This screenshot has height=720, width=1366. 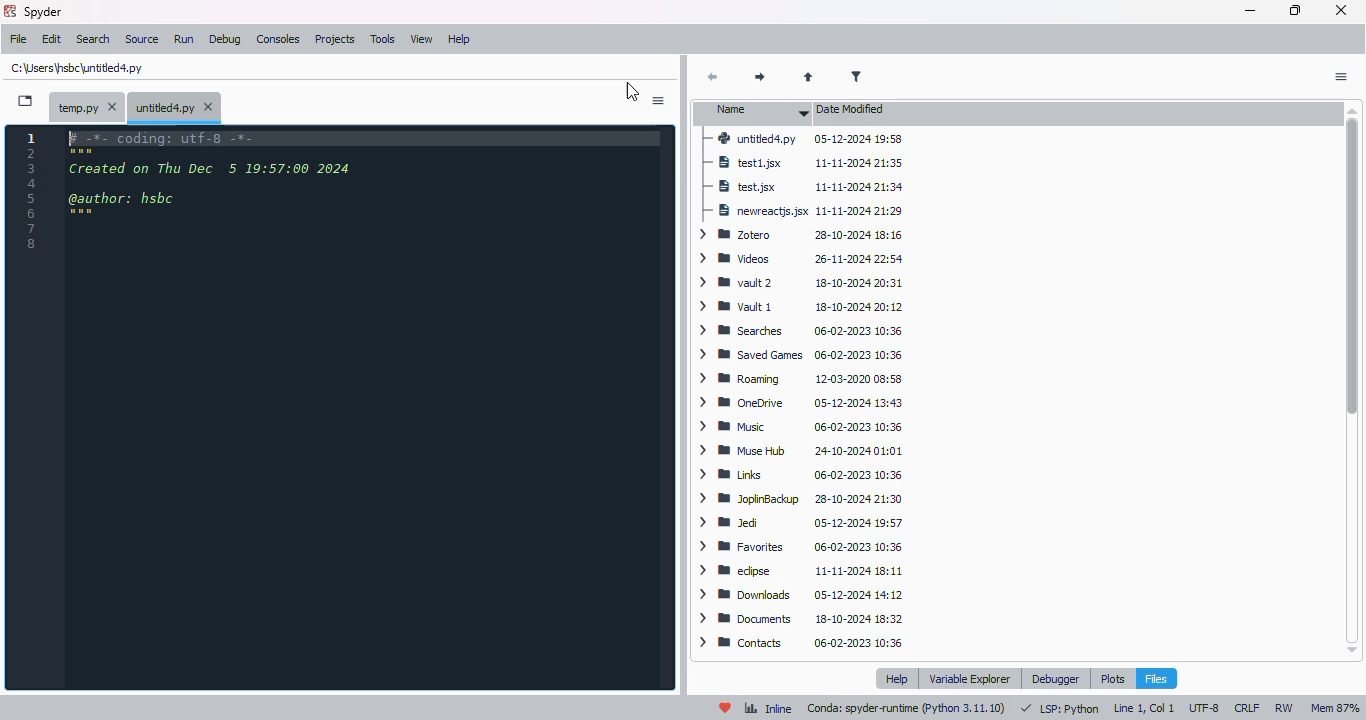 I want to click on file, so click(x=19, y=38).